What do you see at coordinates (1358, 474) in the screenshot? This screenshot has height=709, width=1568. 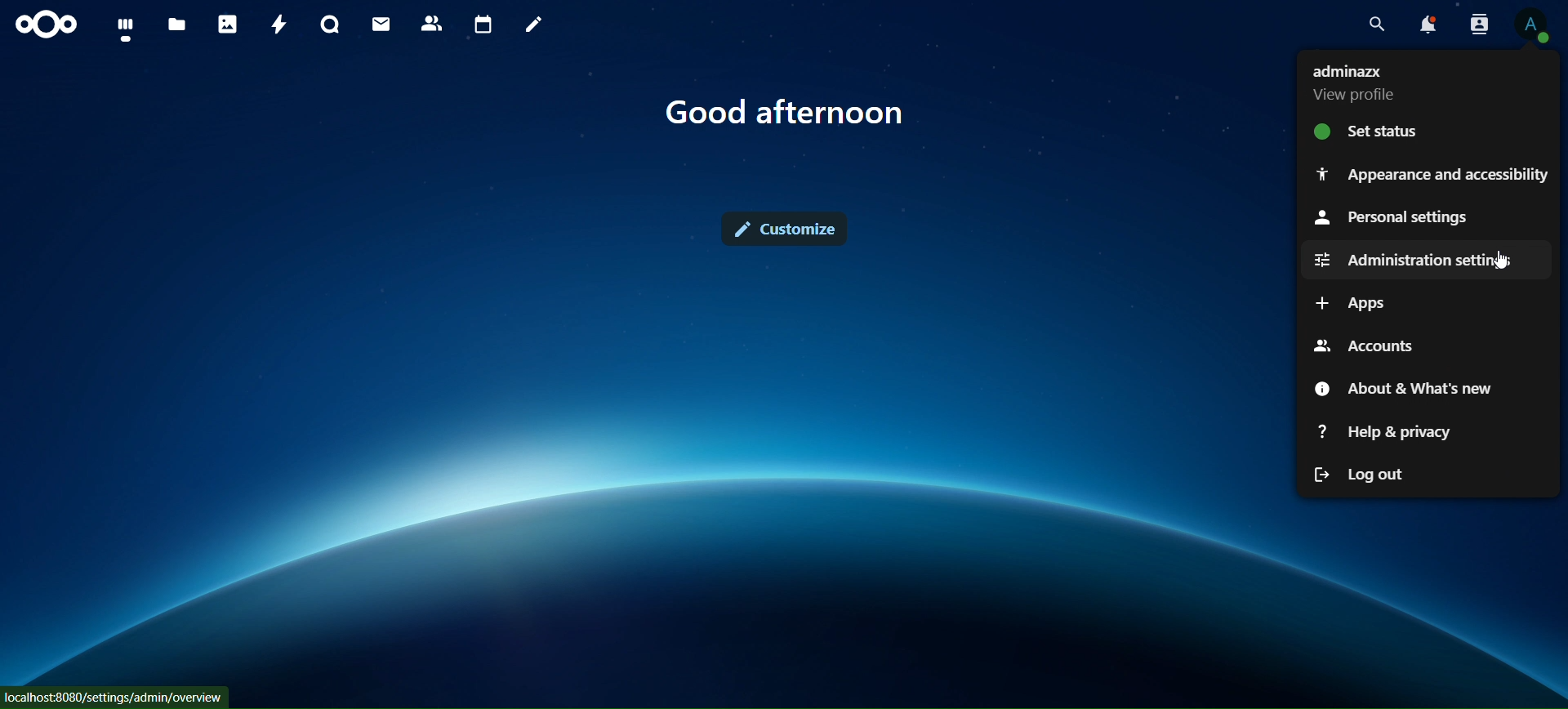 I see `log out` at bounding box center [1358, 474].